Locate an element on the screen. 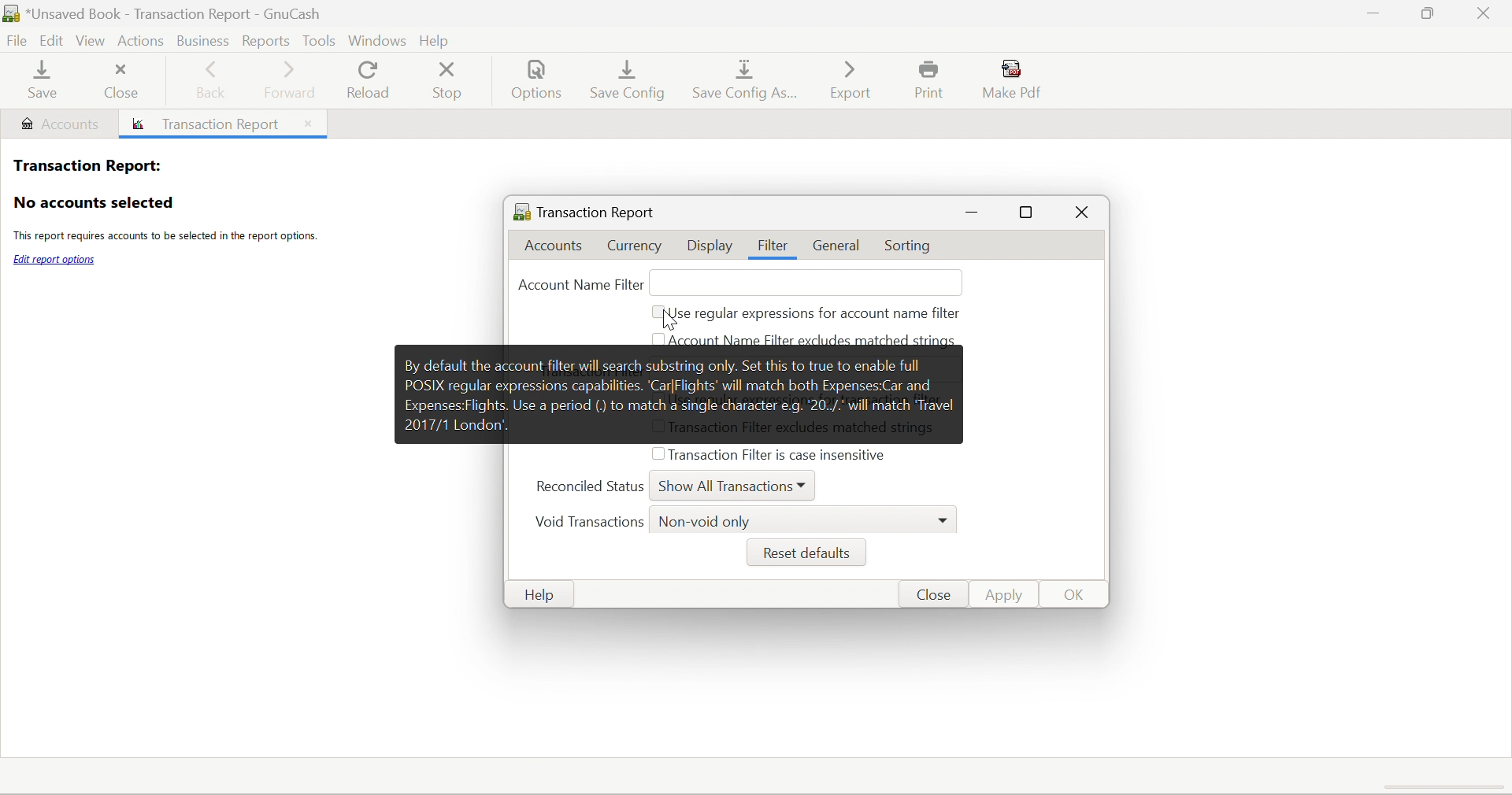 Image resolution: width=1512 pixels, height=795 pixels. Stop is located at coordinates (450, 81).